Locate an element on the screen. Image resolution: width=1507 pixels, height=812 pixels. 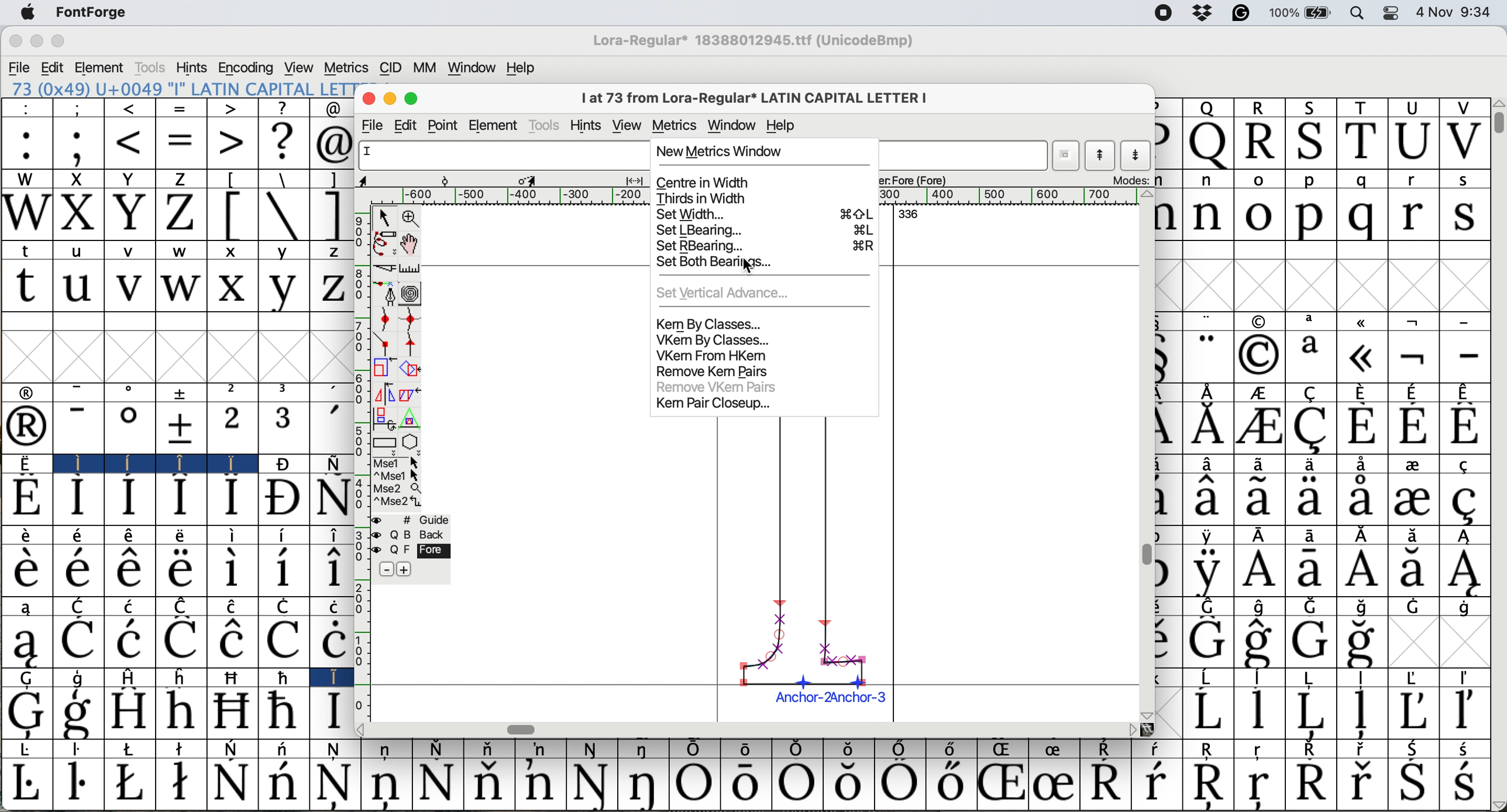
Symbol is located at coordinates (231, 642).